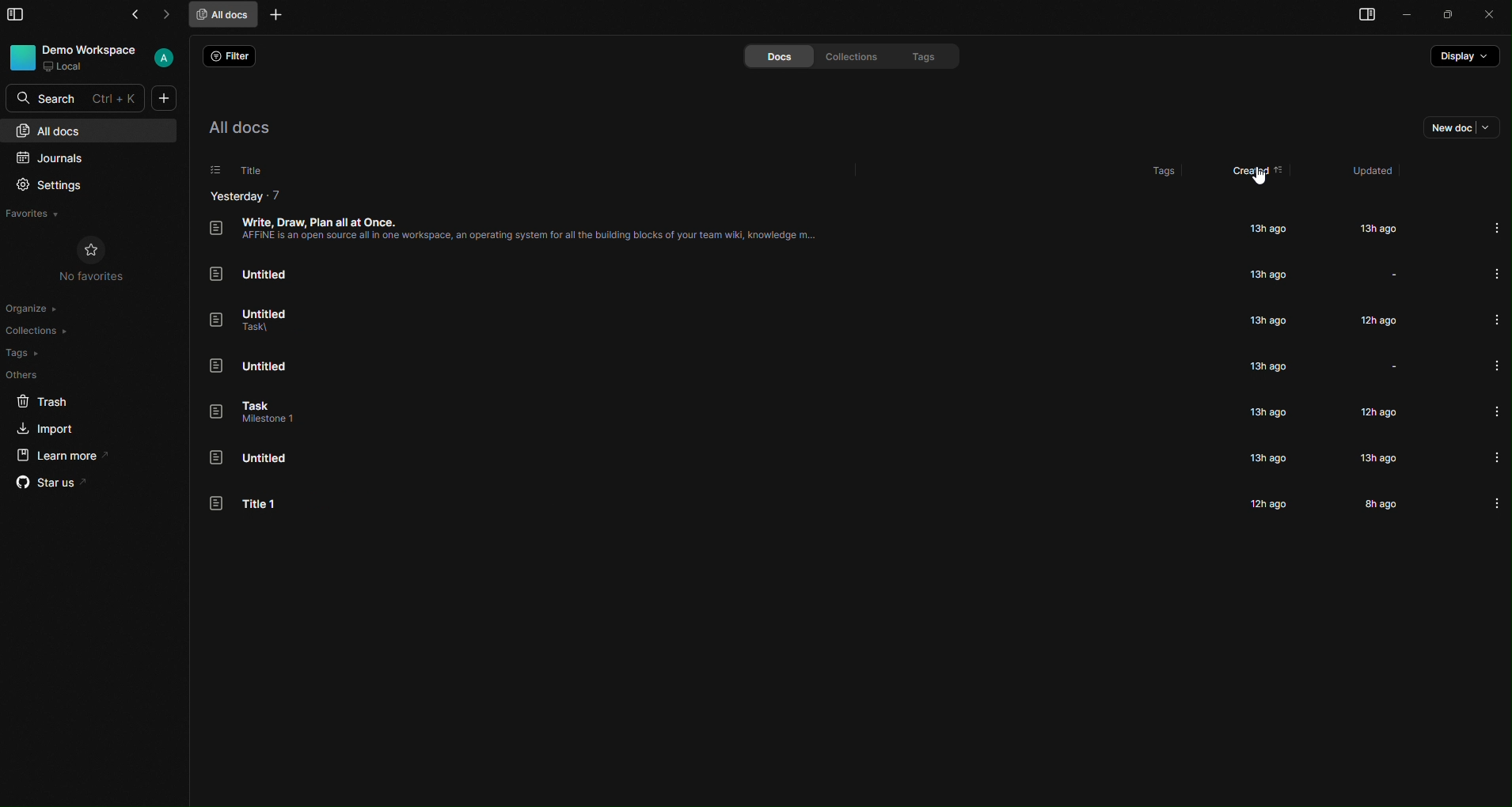 This screenshot has height=807, width=1512. Describe the element at coordinates (49, 183) in the screenshot. I see `settings` at that location.